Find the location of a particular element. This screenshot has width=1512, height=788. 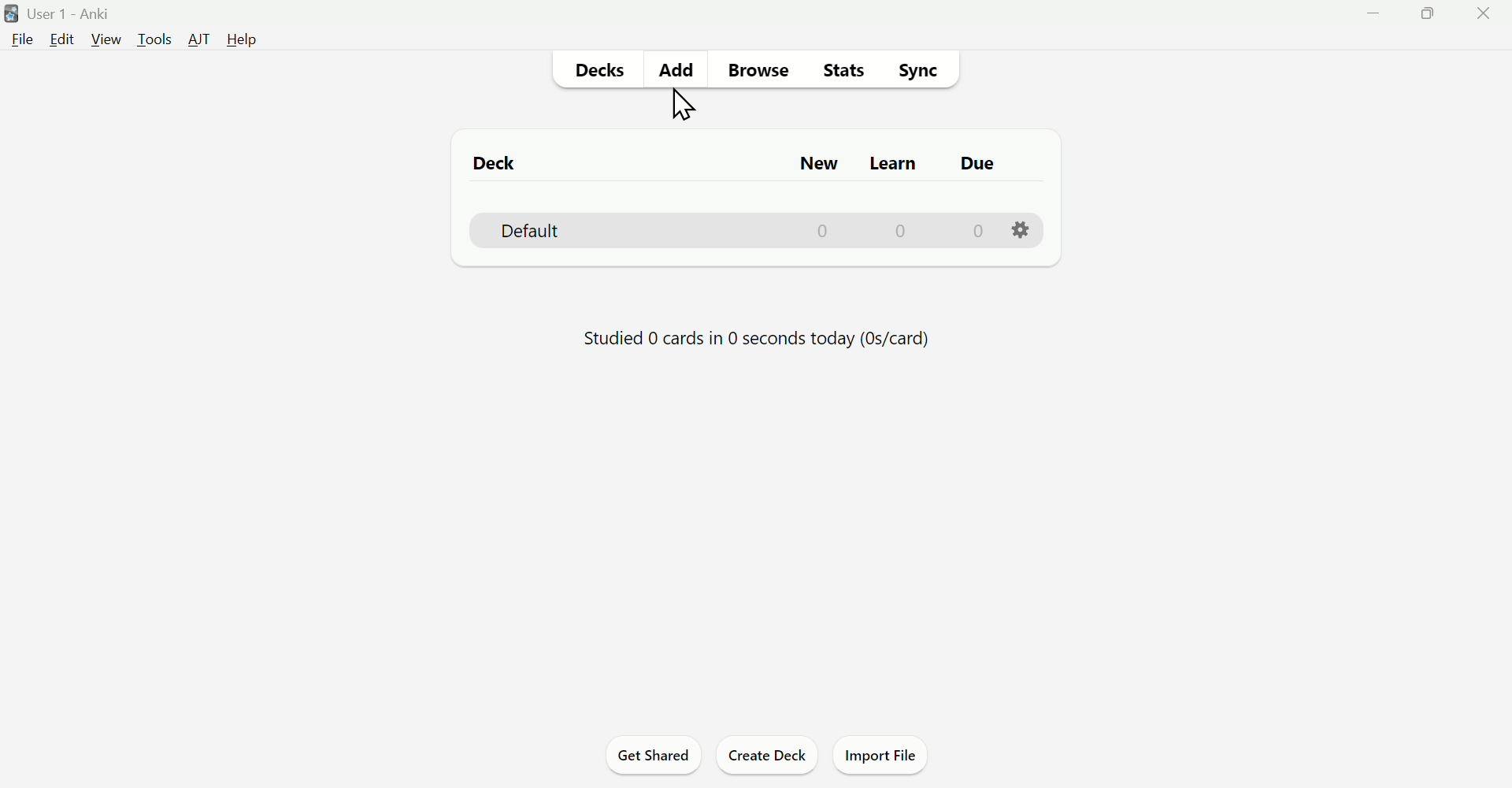

Tools is located at coordinates (152, 39).